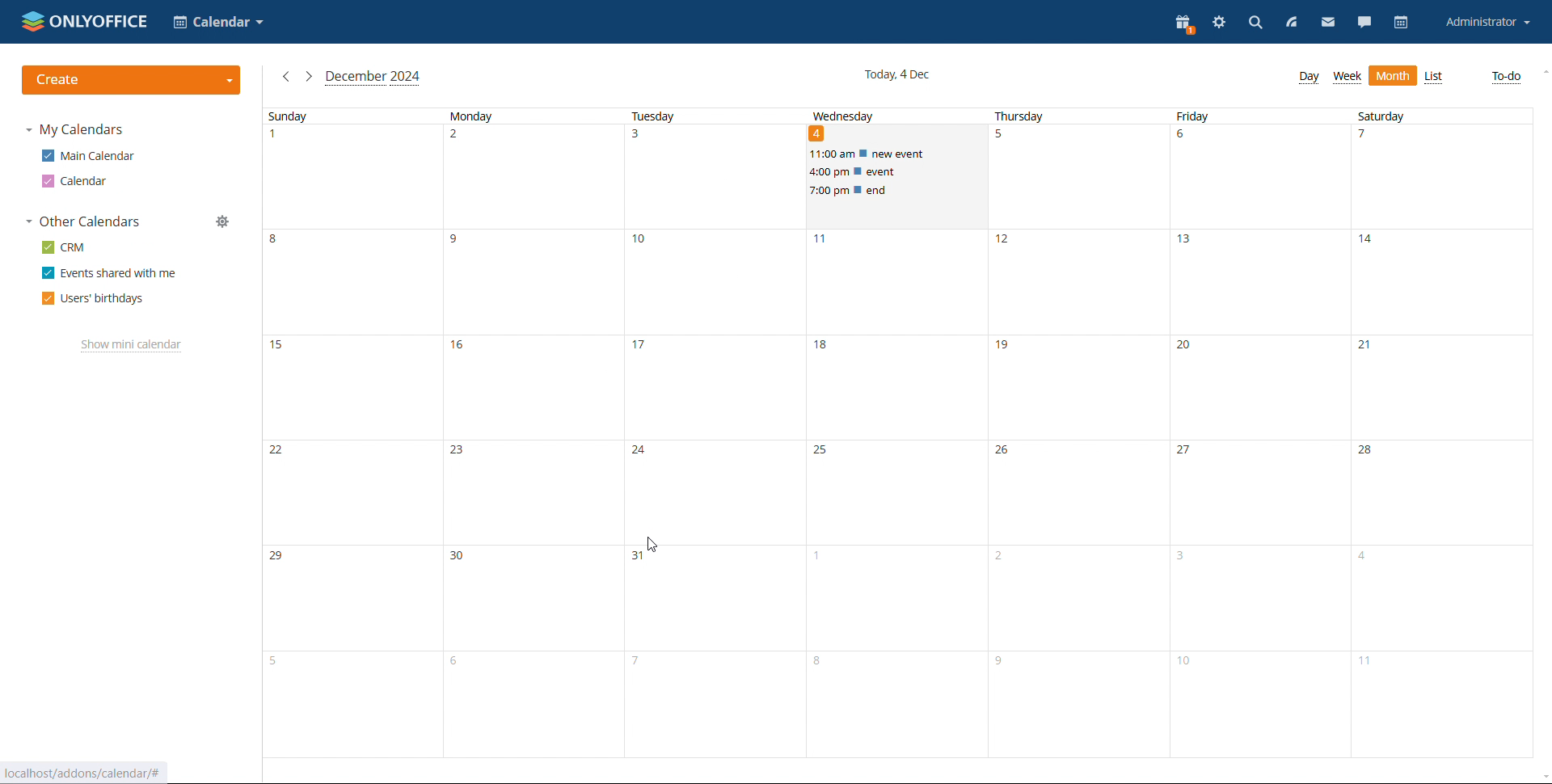 The height and width of the screenshot is (784, 1552). What do you see at coordinates (1309, 78) in the screenshot?
I see `day view` at bounding box center [1309, 78].